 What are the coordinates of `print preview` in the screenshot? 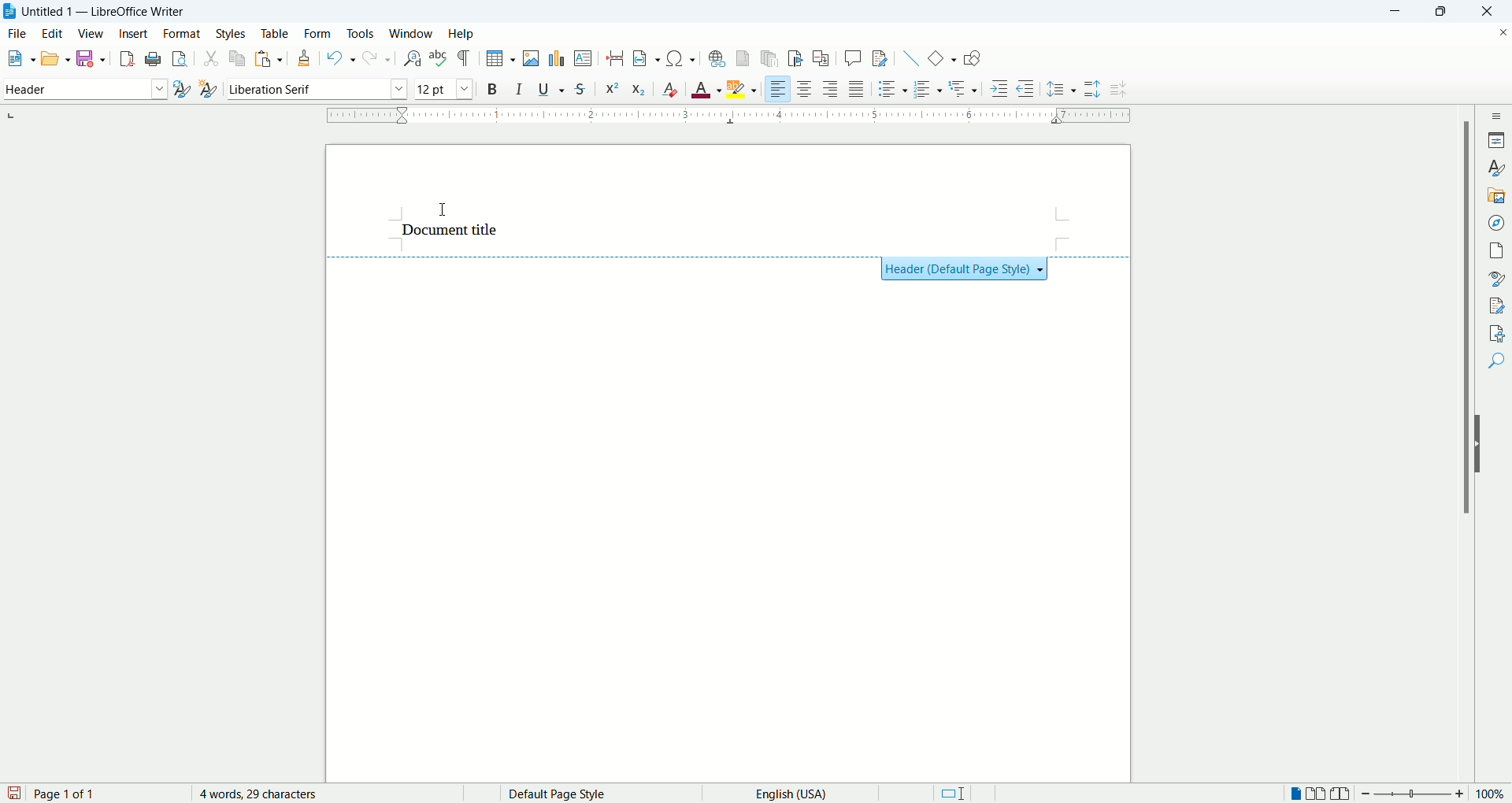 It's located at (182, 58).